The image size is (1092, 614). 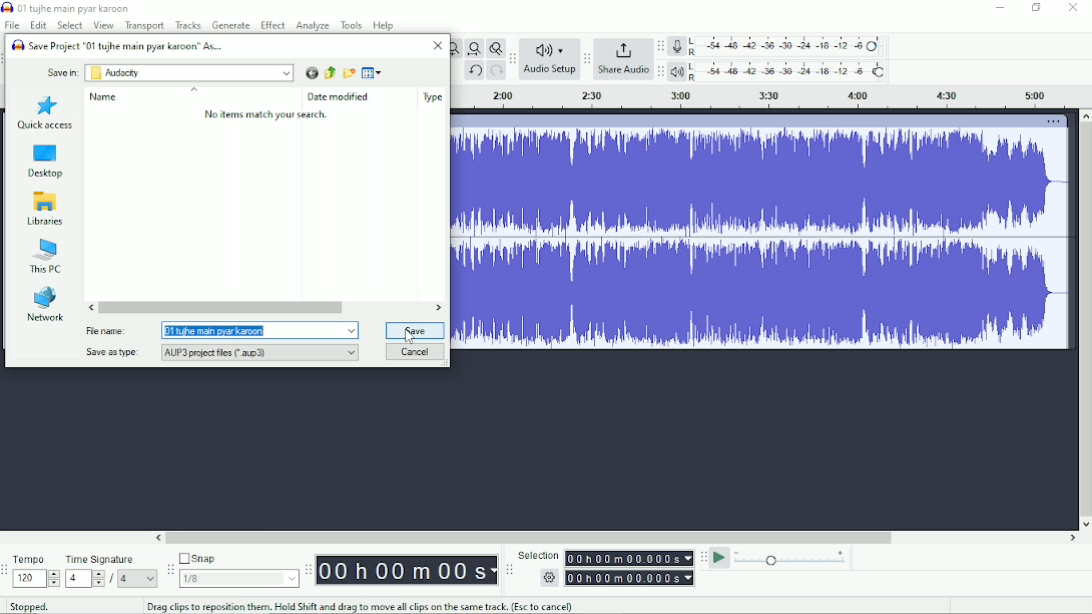 What do you see at coordinates (1035, 8) in the screenshot?
I see `Restore down` at bounding box center [1035, 8].